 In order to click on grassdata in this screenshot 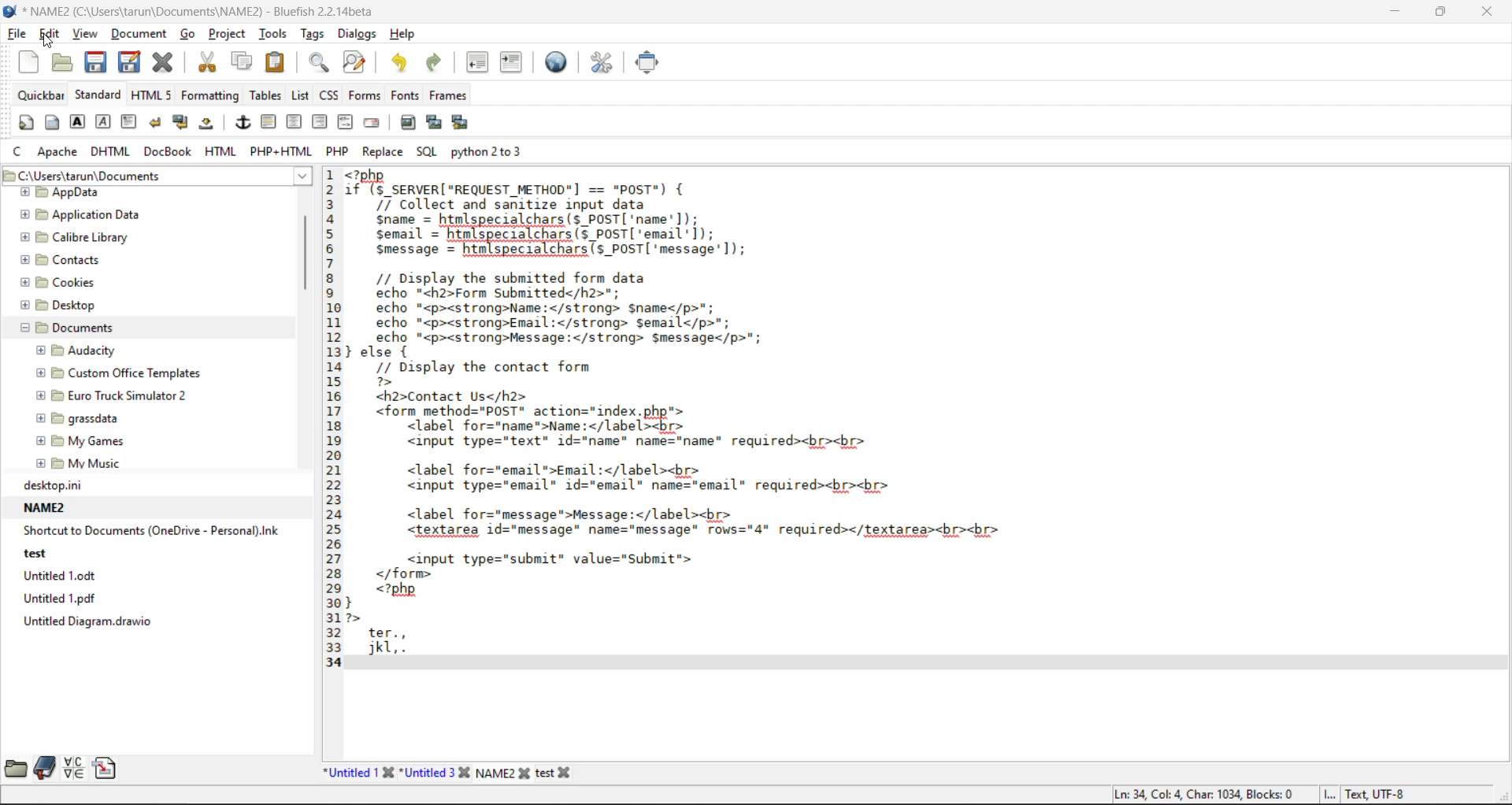, I will do `click(80, 417)`.